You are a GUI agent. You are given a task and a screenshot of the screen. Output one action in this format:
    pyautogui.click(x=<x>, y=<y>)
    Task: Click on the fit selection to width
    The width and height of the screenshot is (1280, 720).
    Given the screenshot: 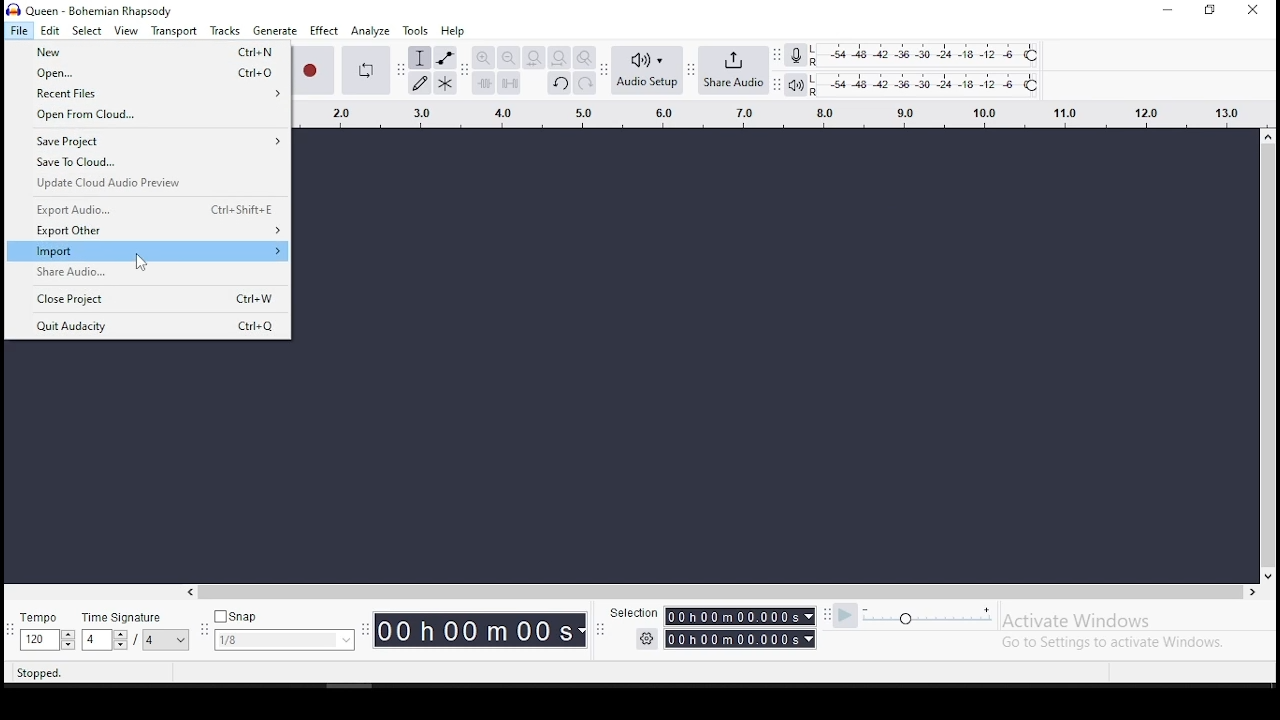 What is the action you would take?
    pyautogui.click(x=533, y=58)
    